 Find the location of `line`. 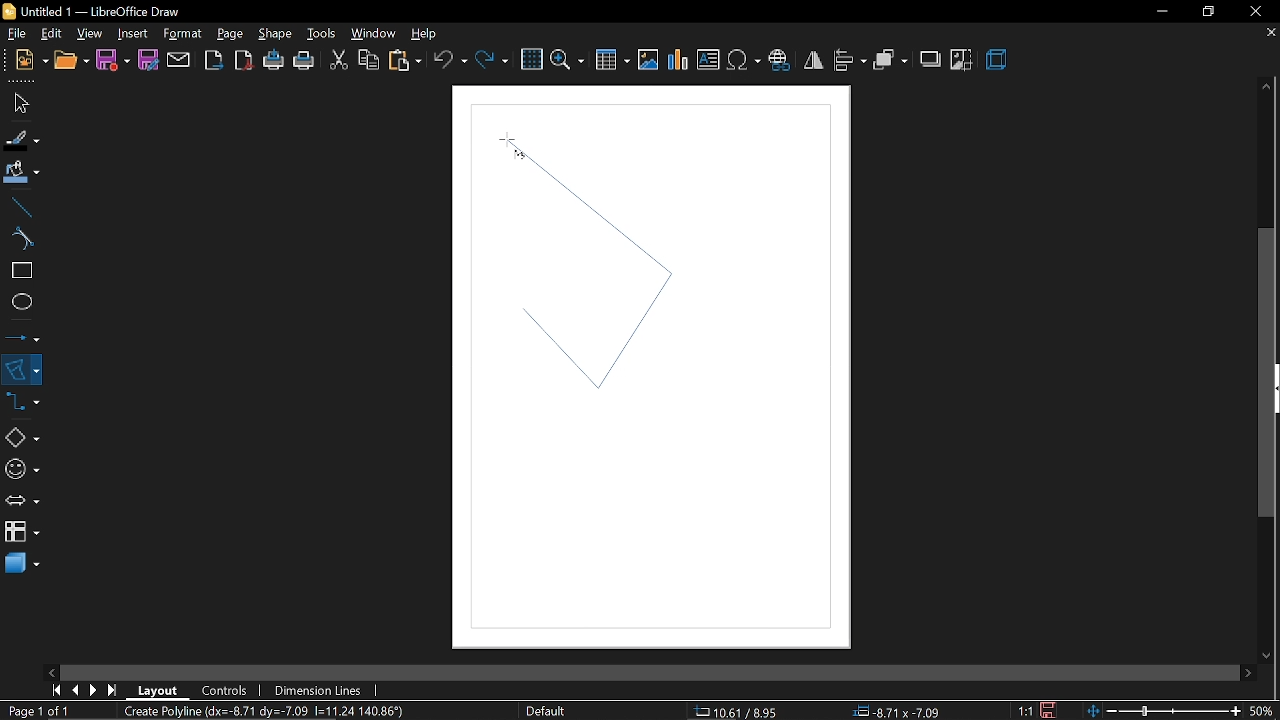

line is located at coordinates (19, 207).